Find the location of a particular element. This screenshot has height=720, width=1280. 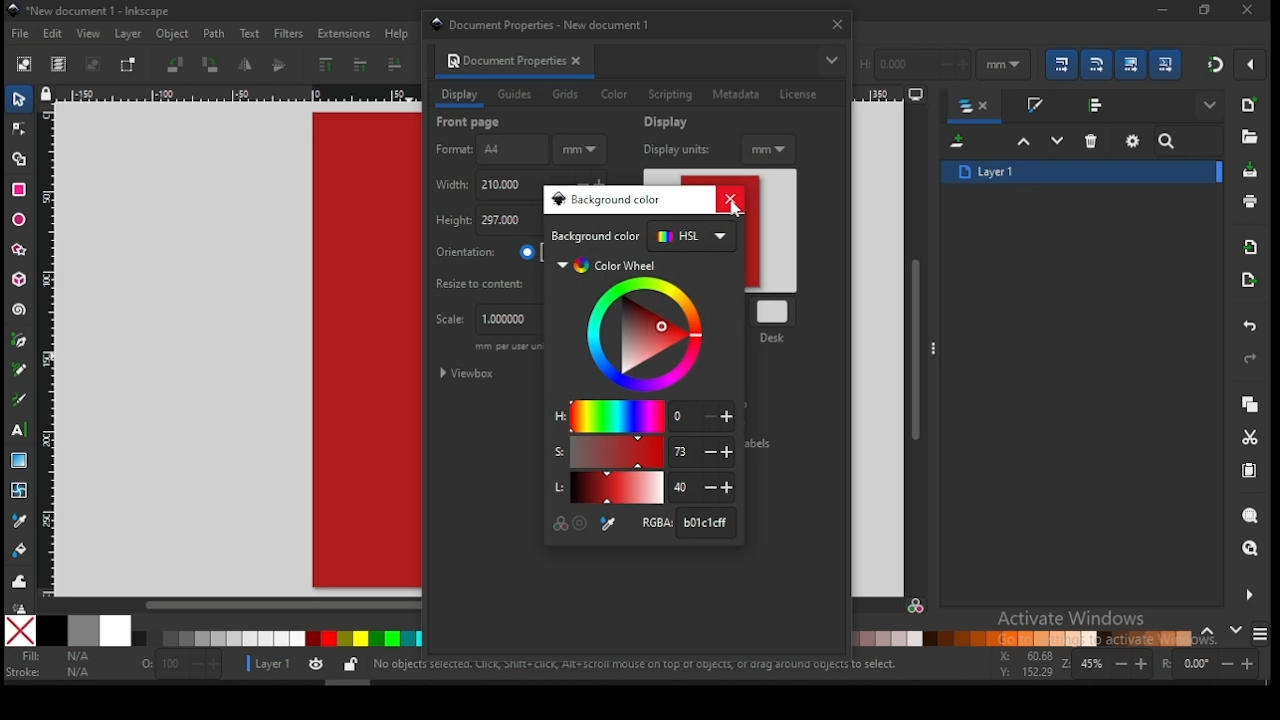

scripting is located at coordinates (669, 95).